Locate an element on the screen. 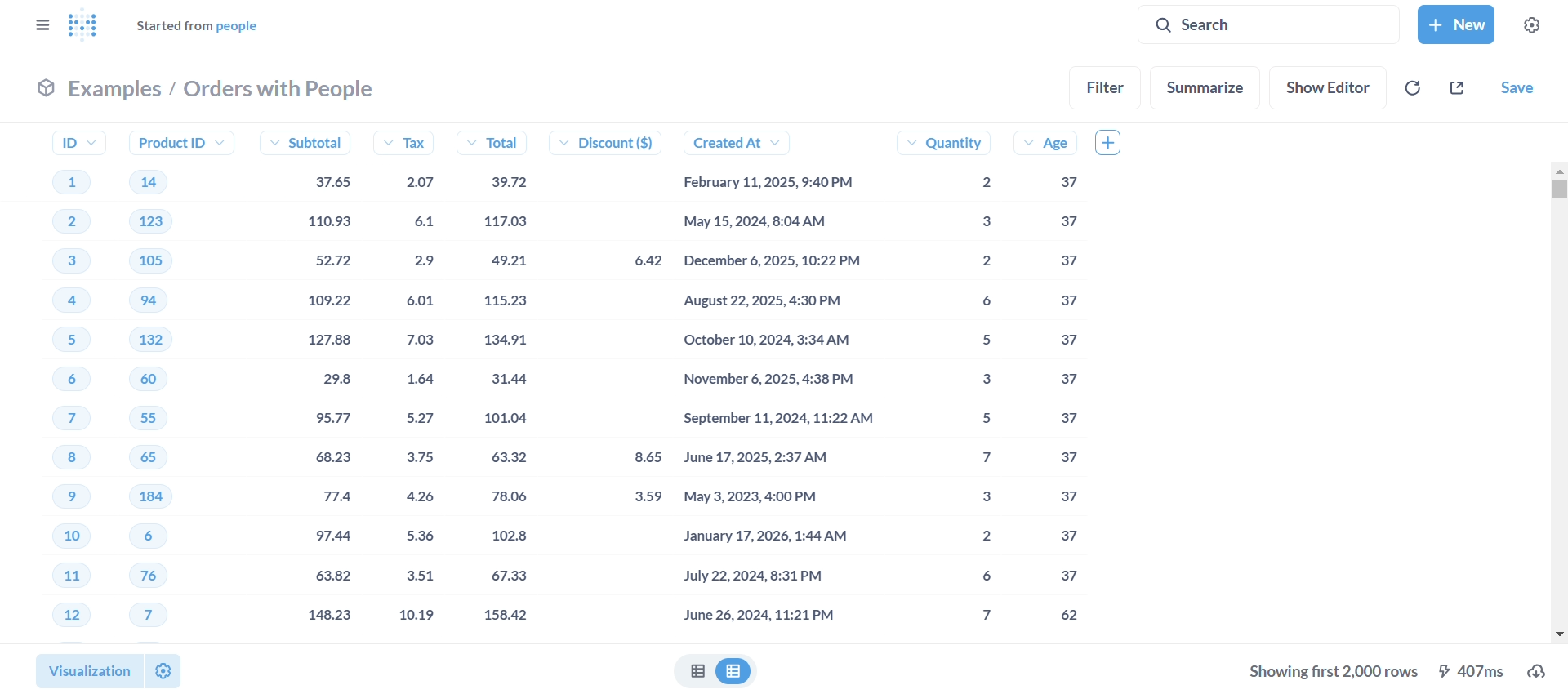 The height and width of the screenshot is (694, 1568). download is located at coordinates (1392, 670).